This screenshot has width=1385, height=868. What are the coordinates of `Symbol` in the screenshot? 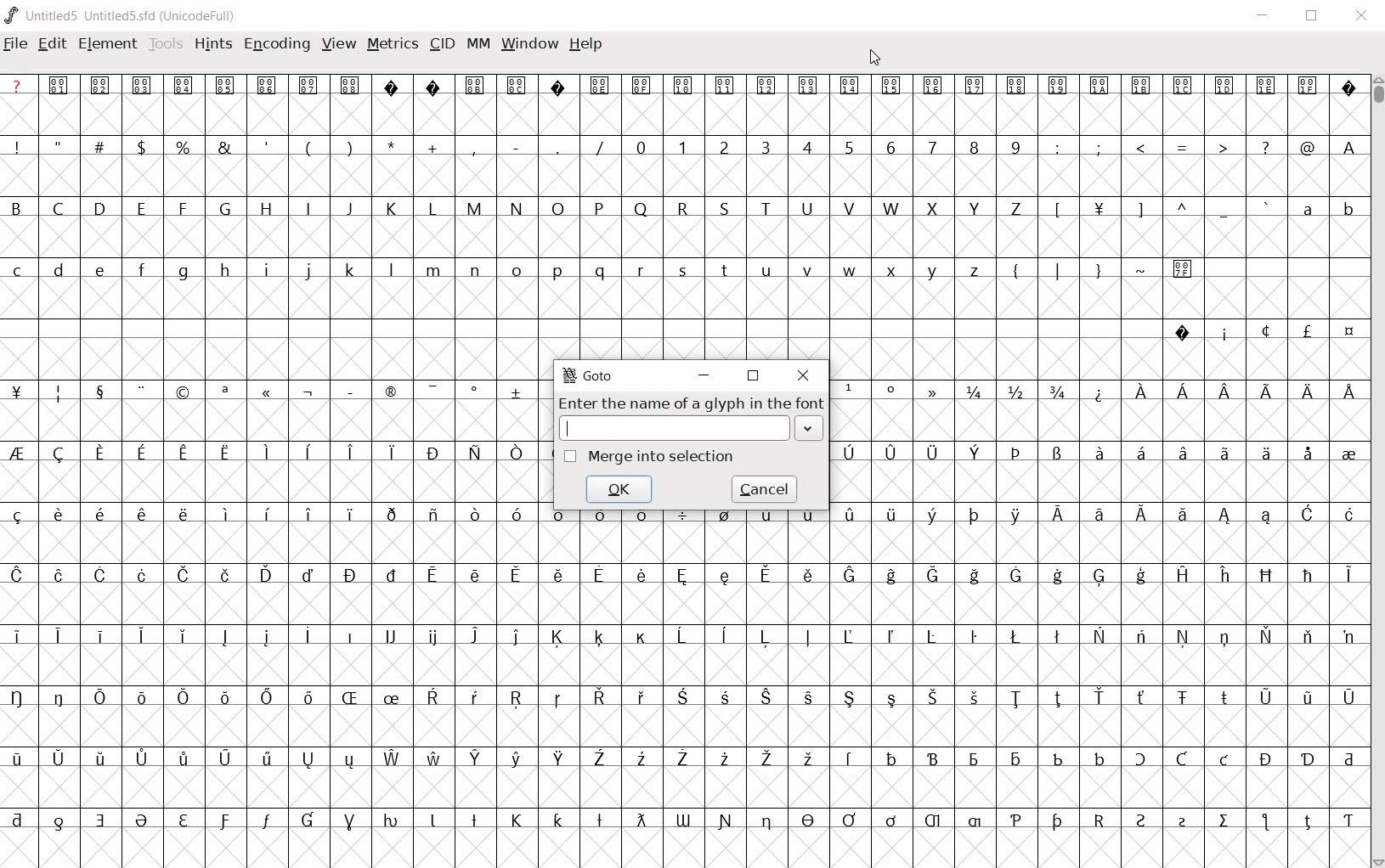 It's located at (766, 699).